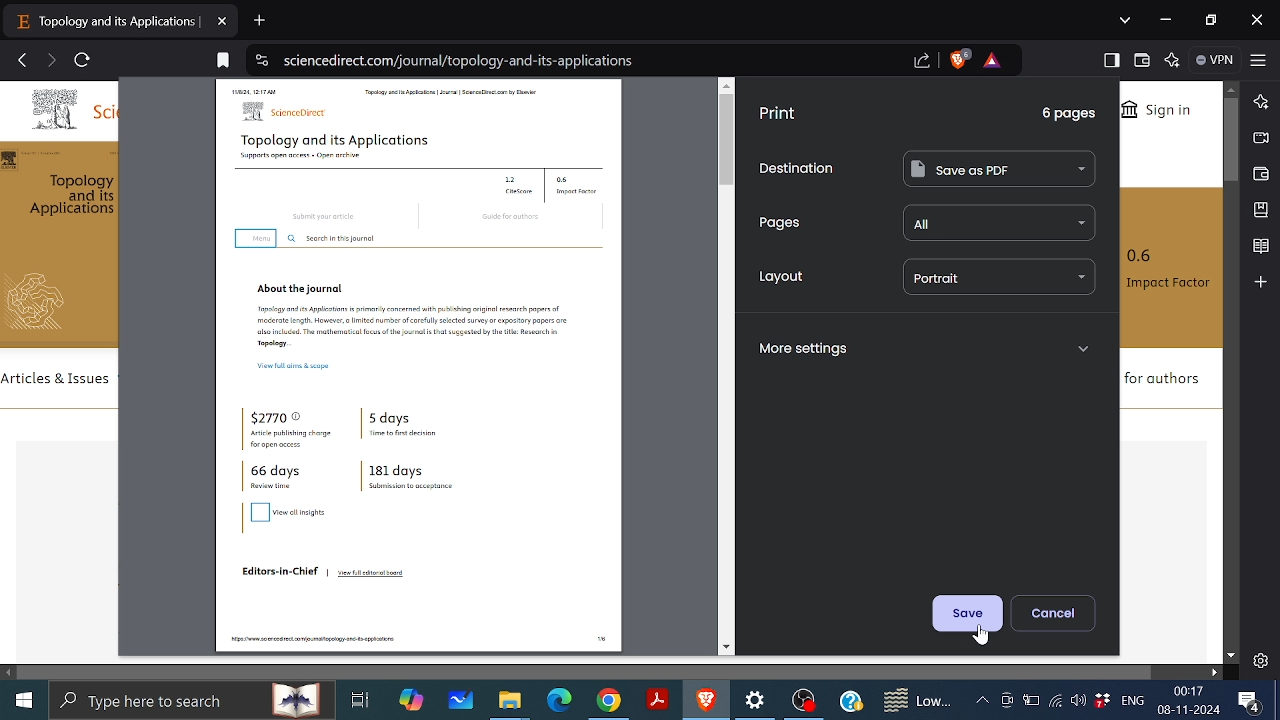 Image resolution: width=1280 pixels, height=720 pixels. I want to click on 0.6 . Impact Factor, so click(580, 185).